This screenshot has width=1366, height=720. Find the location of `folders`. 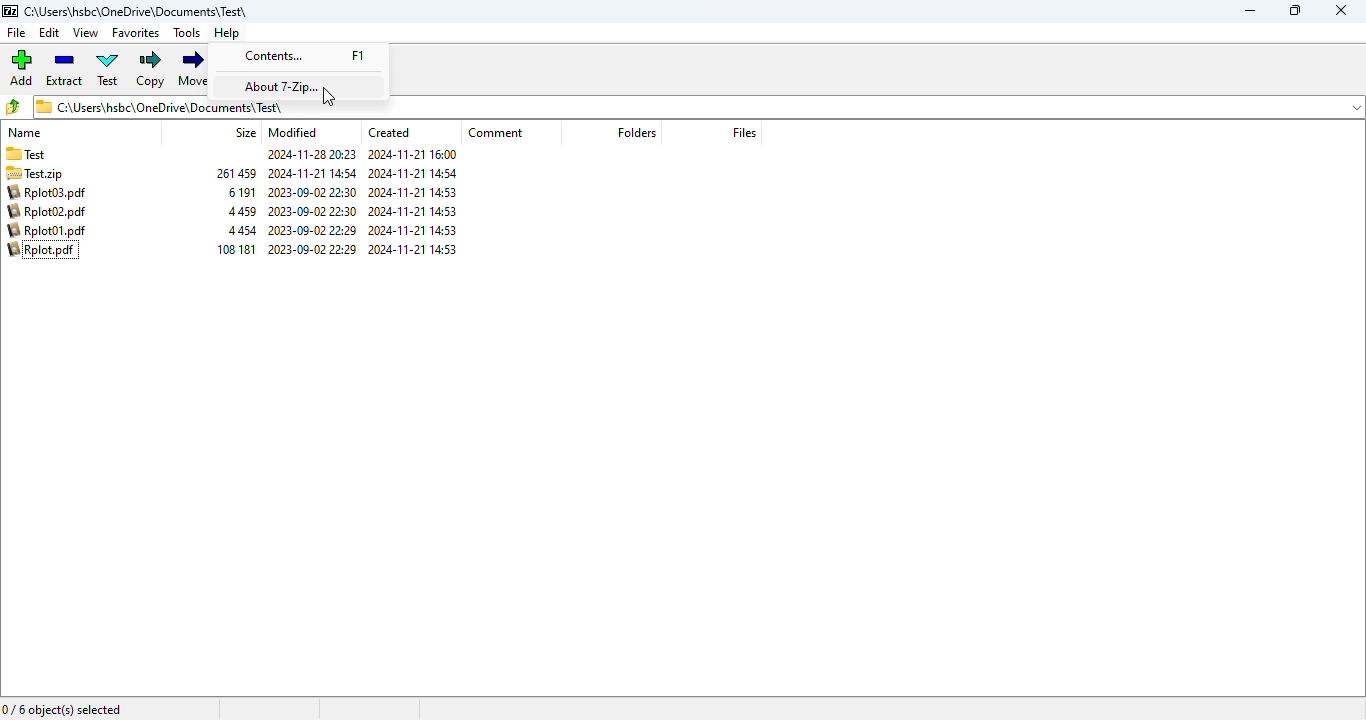

folders is located at coordinates (635, 132).